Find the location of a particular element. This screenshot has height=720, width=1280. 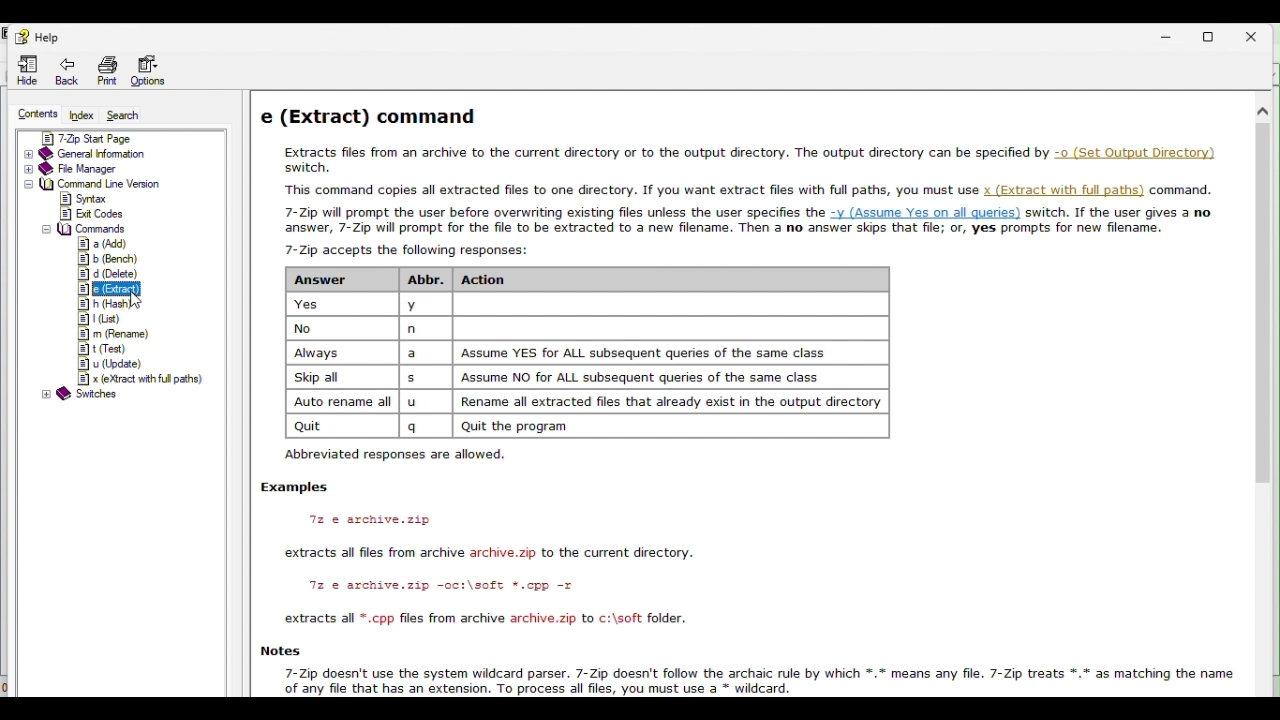

7 zip start page is located at coordinates (104, 137).